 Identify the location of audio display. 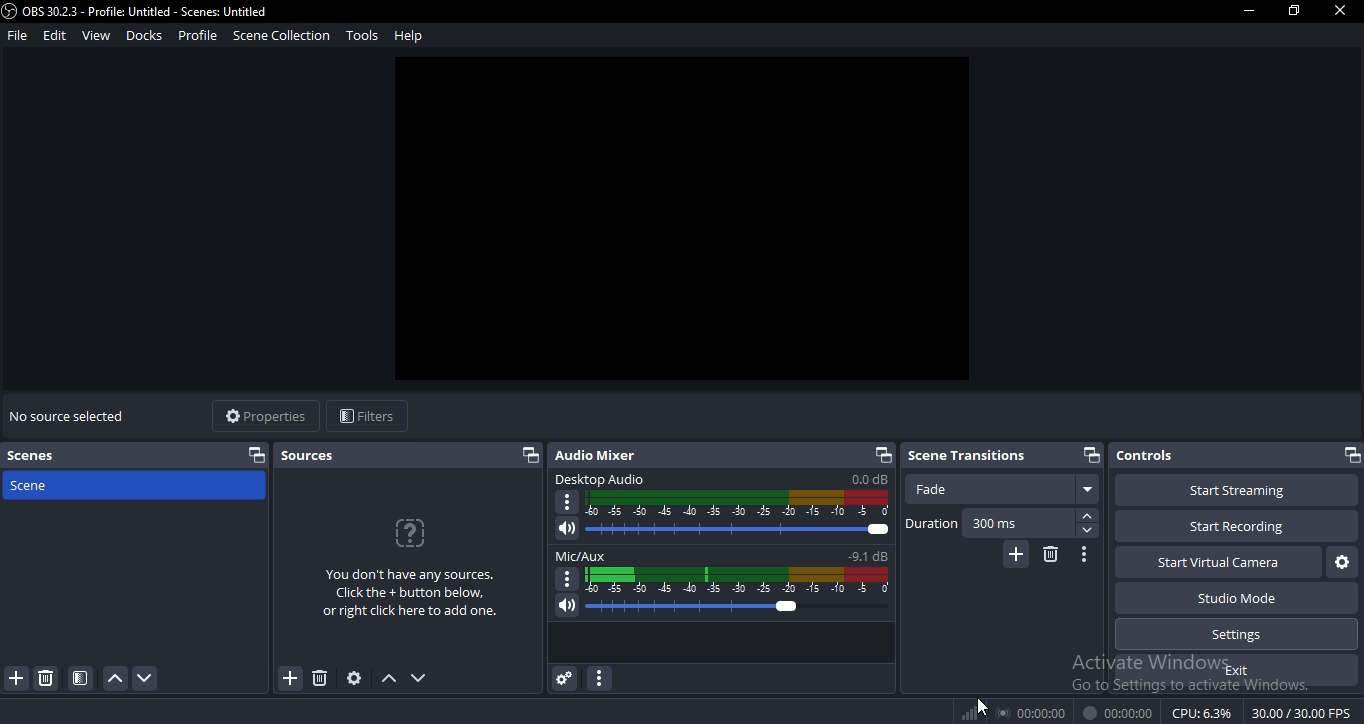
(737, 504).